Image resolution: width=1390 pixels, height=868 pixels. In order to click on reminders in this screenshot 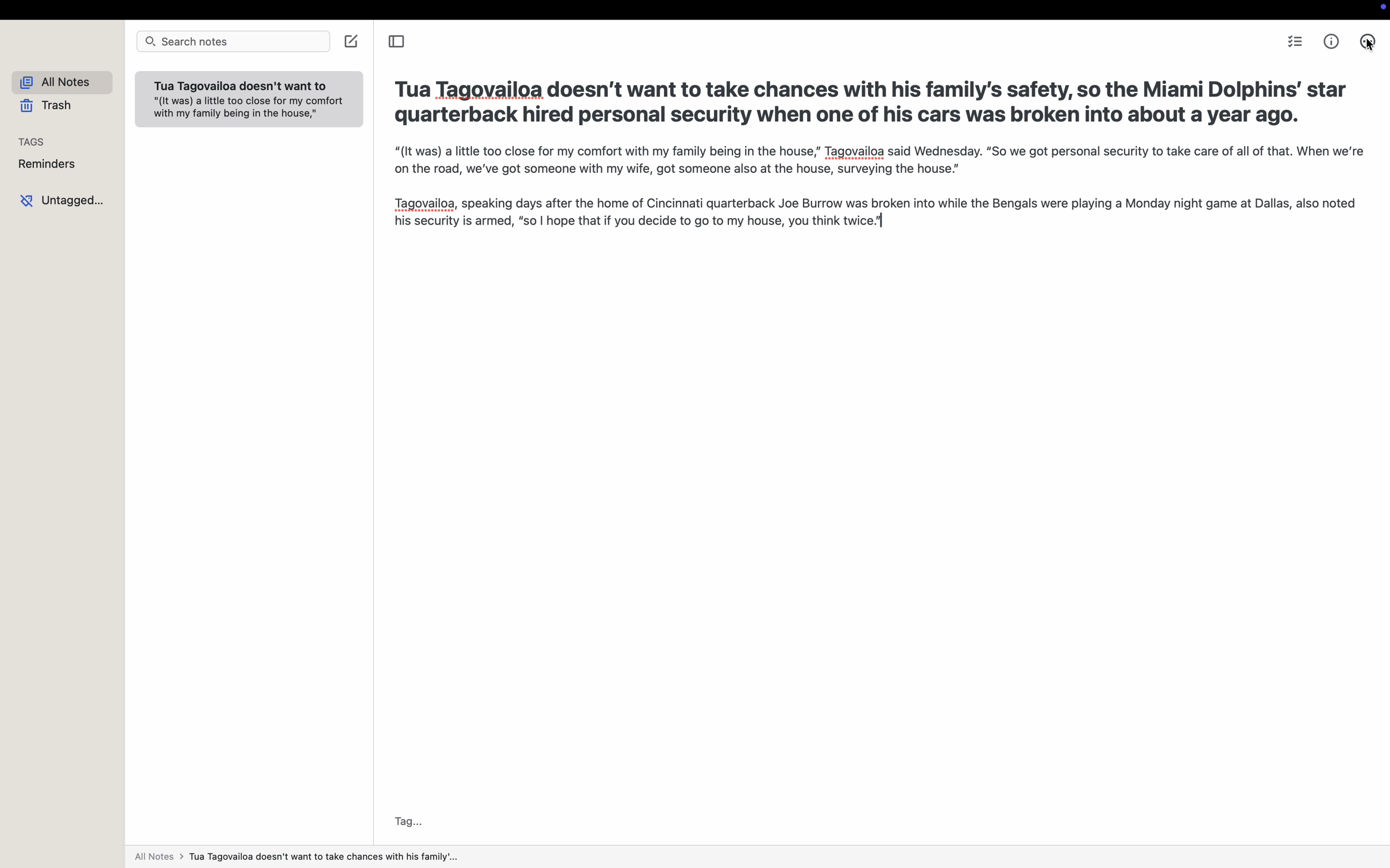, I will do `click(48, 165)`.